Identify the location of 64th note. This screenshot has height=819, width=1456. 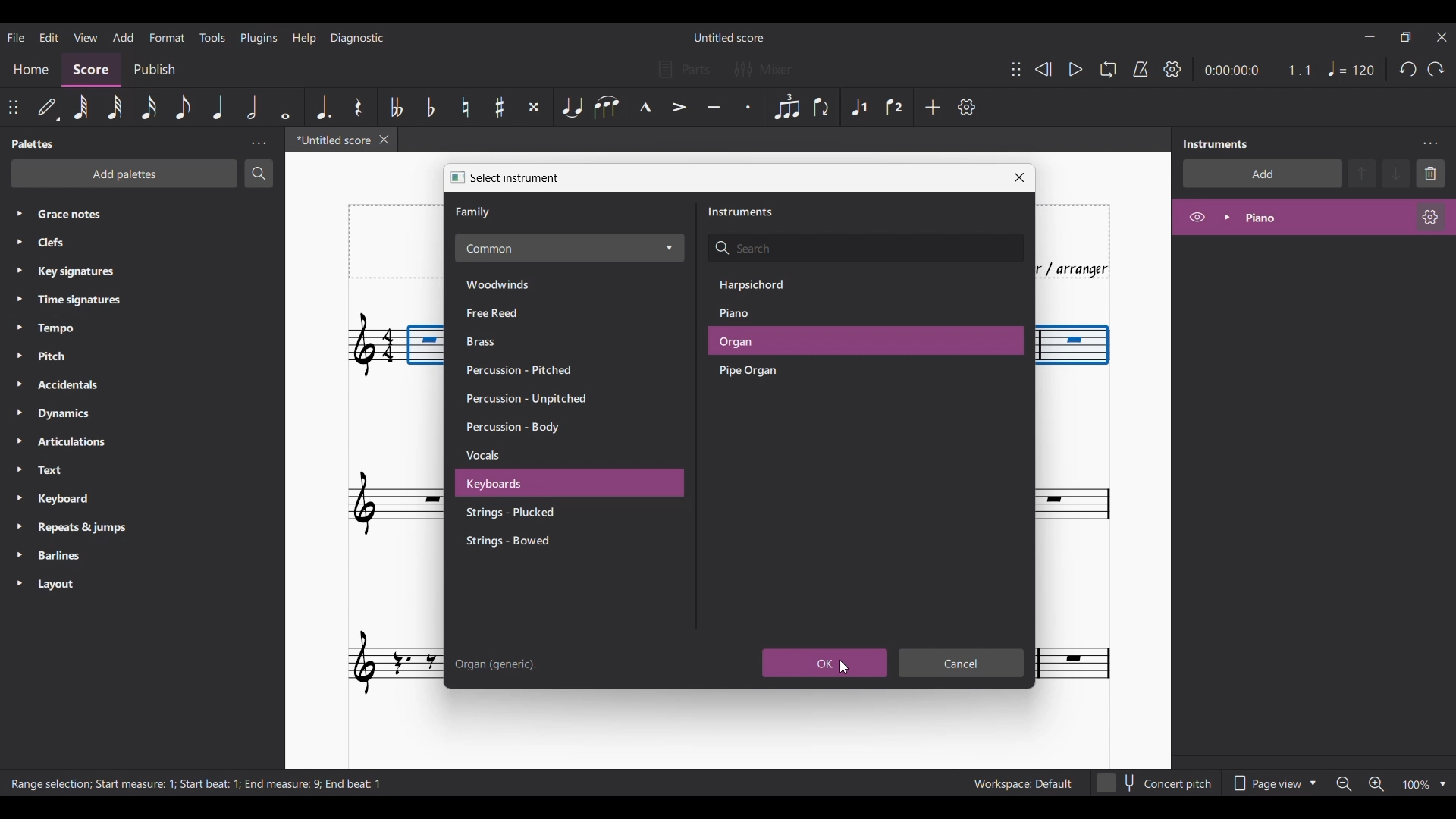
(81, 107).